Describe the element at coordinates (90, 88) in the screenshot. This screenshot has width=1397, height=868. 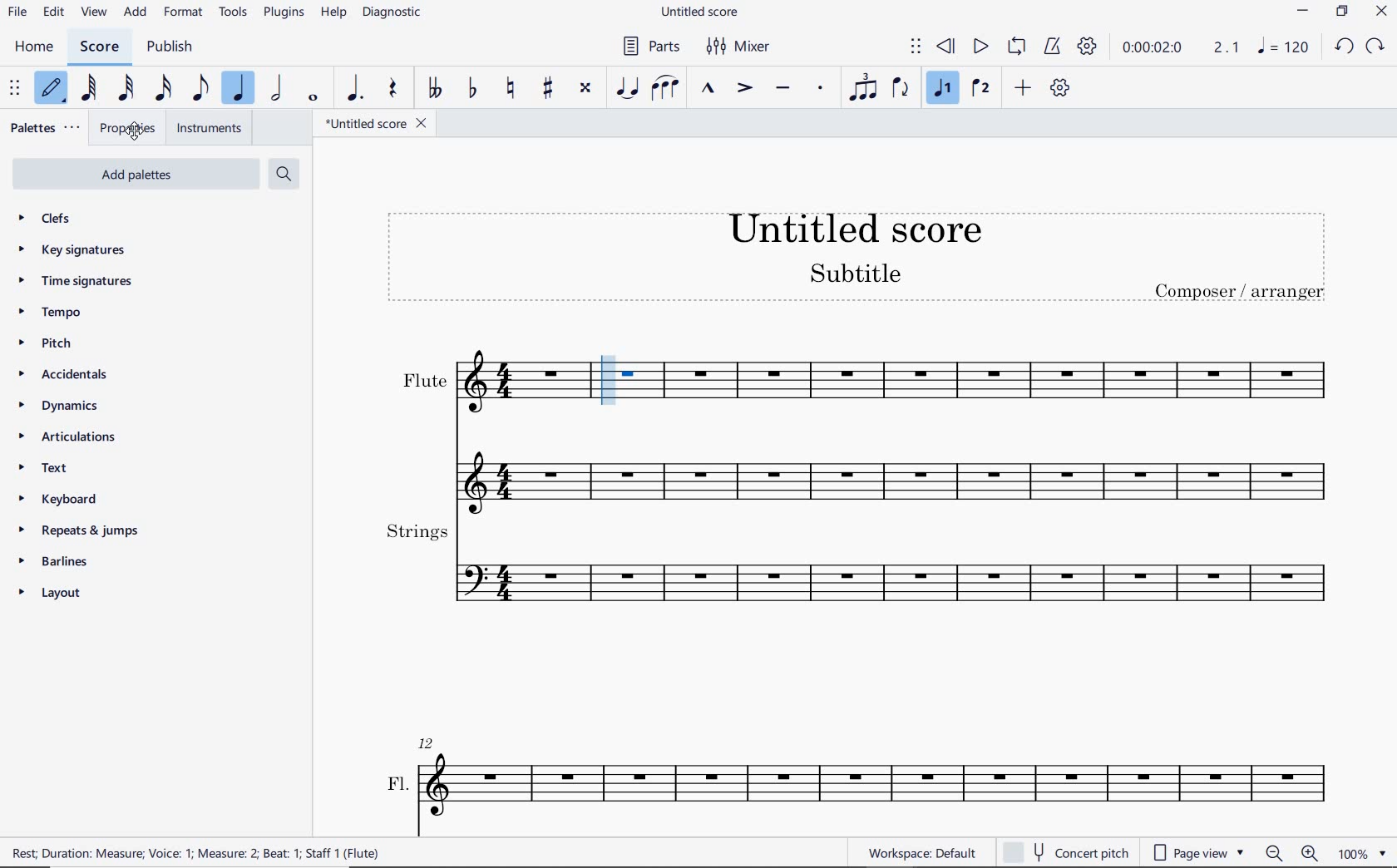
I see `64TH NOTE` at that location.